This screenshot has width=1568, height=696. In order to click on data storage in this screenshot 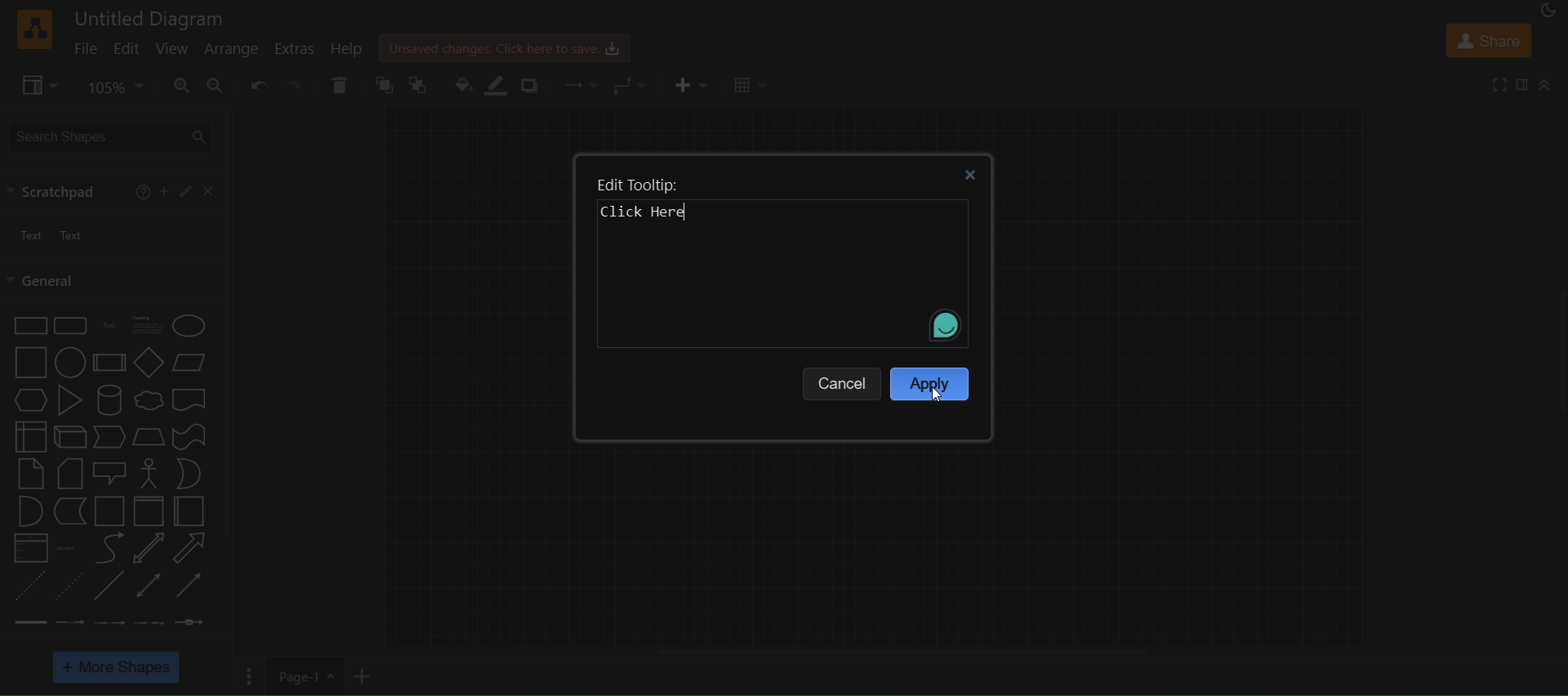, I will do `click(67, 511)`.